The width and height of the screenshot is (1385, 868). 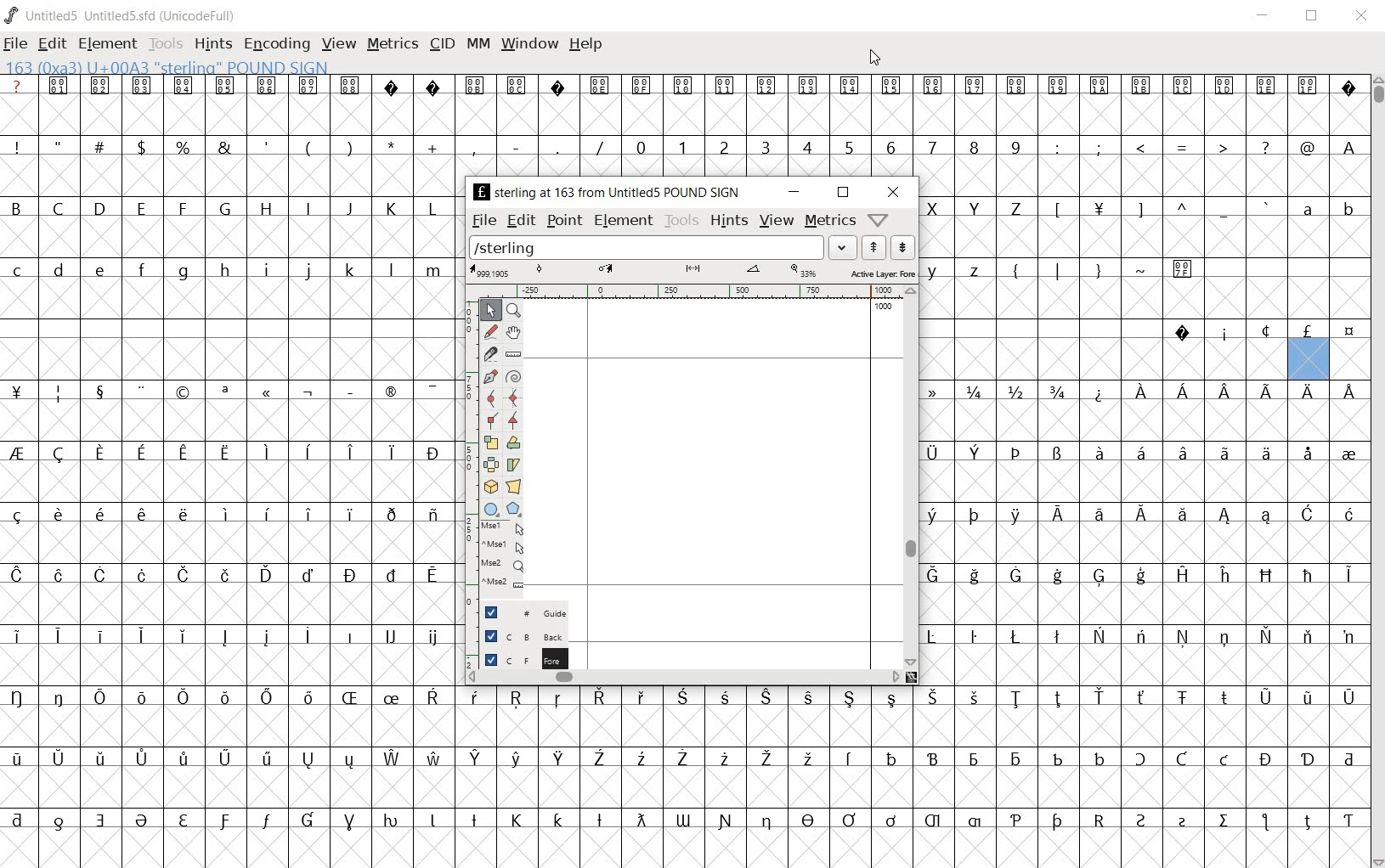 What do you see at coordinates (1363, 17) in the screenshot?
I see `close` at bounding box center [1363, 17].